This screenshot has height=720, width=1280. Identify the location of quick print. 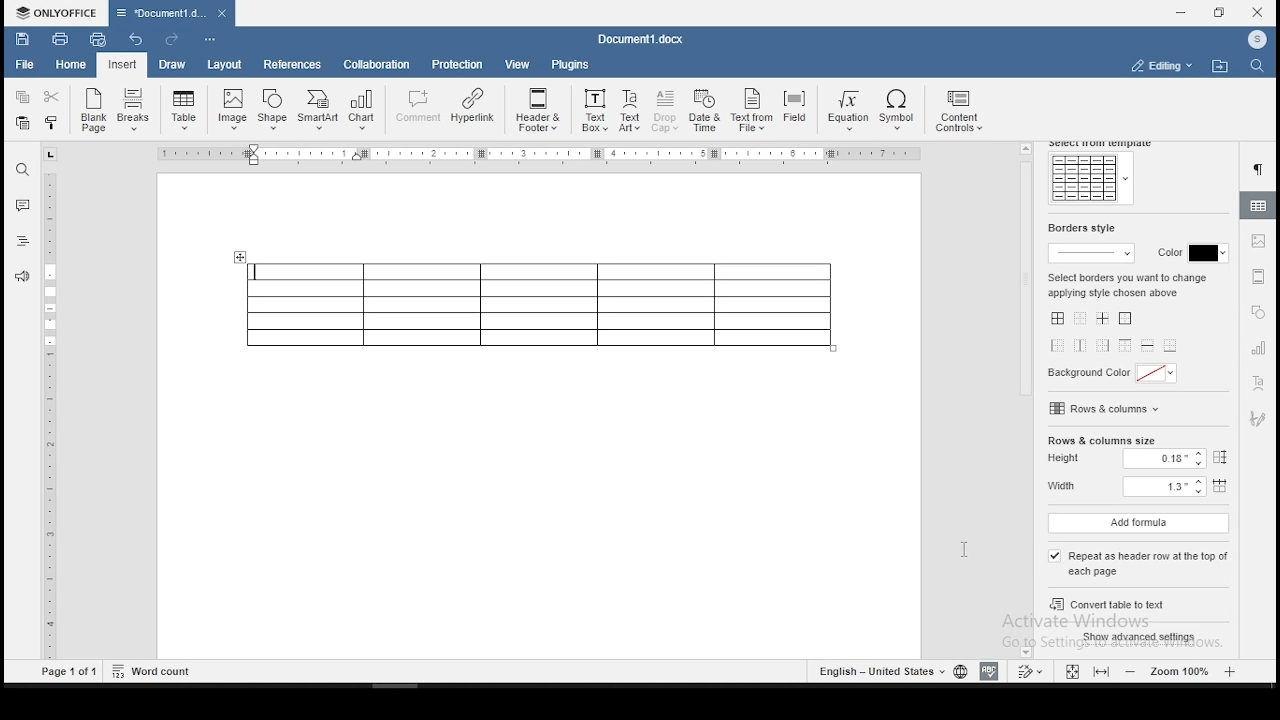
(98, 39).